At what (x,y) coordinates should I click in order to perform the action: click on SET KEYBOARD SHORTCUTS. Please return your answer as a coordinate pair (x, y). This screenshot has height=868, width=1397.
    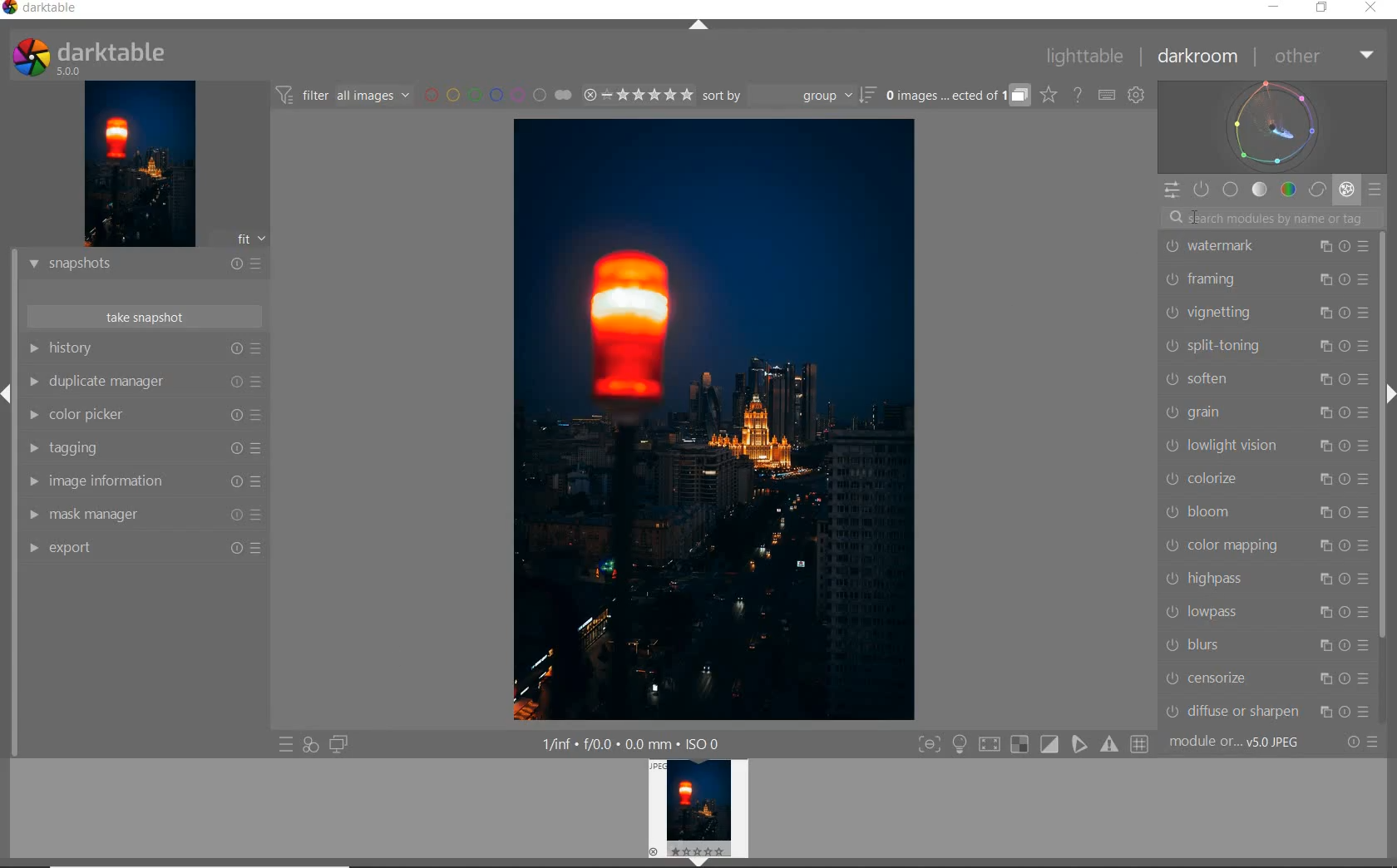
    Looking at the image, I should click on (1107, 95).